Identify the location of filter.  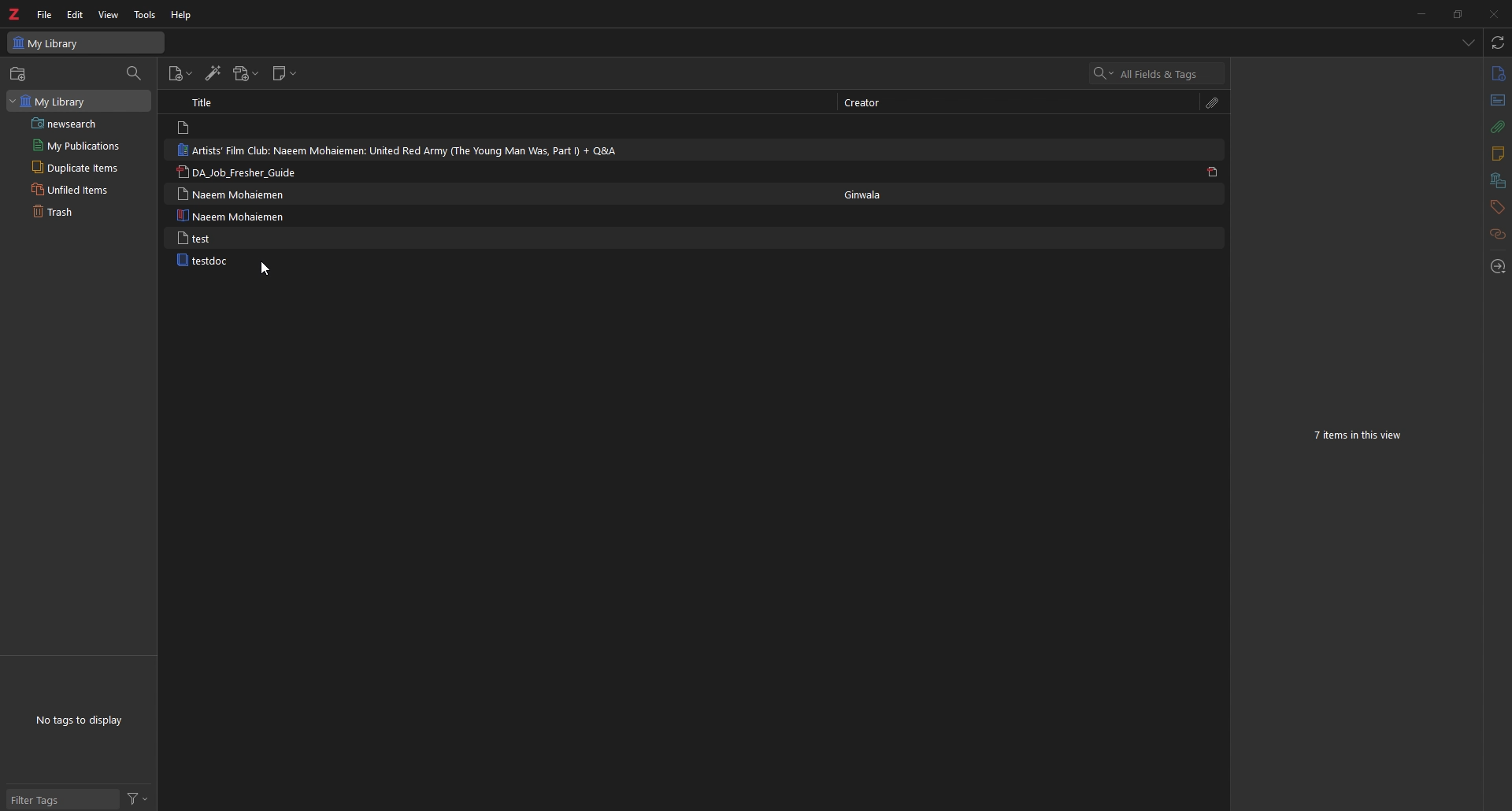
(137, 799).